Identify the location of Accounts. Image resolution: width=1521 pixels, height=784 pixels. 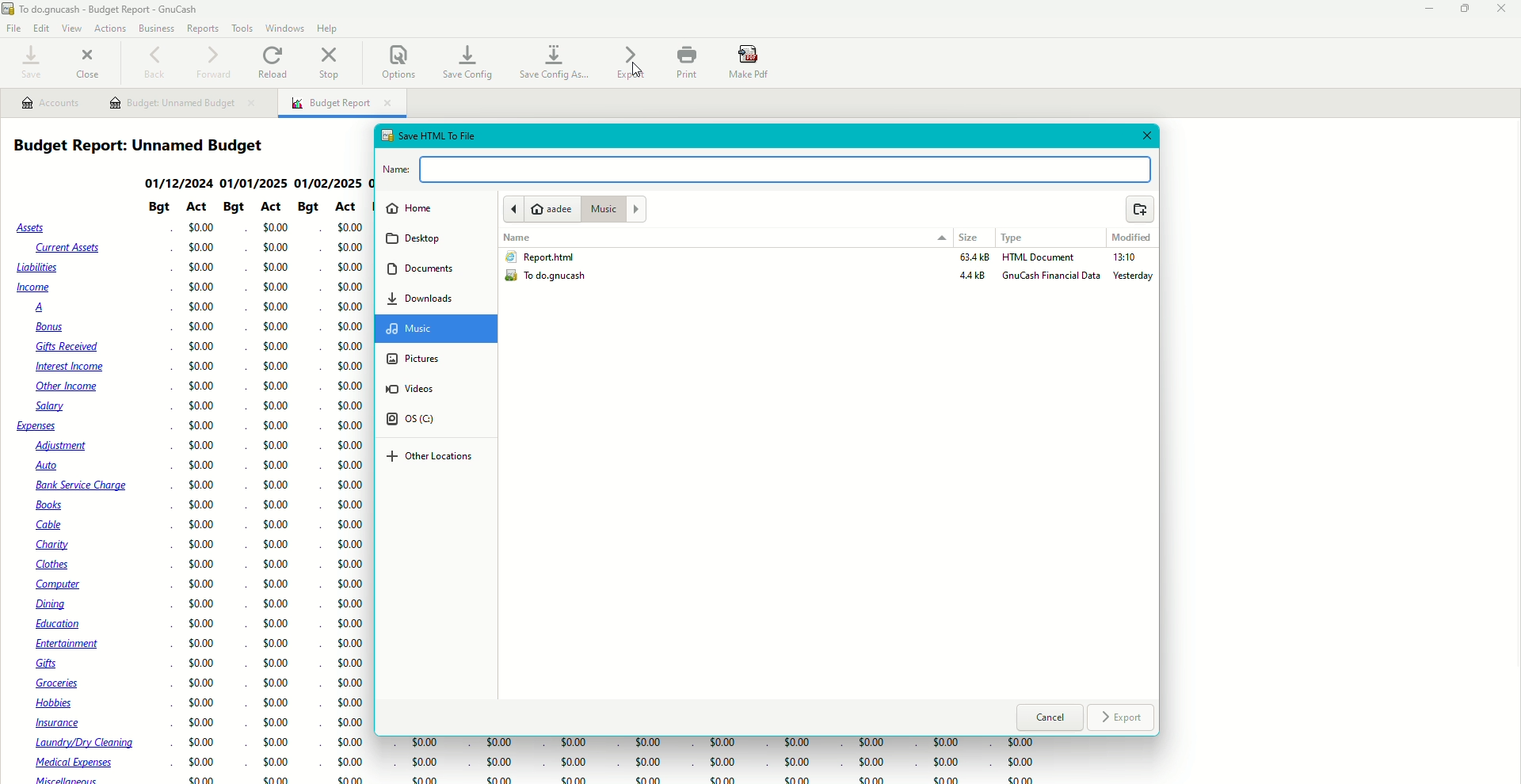
(50, 103).